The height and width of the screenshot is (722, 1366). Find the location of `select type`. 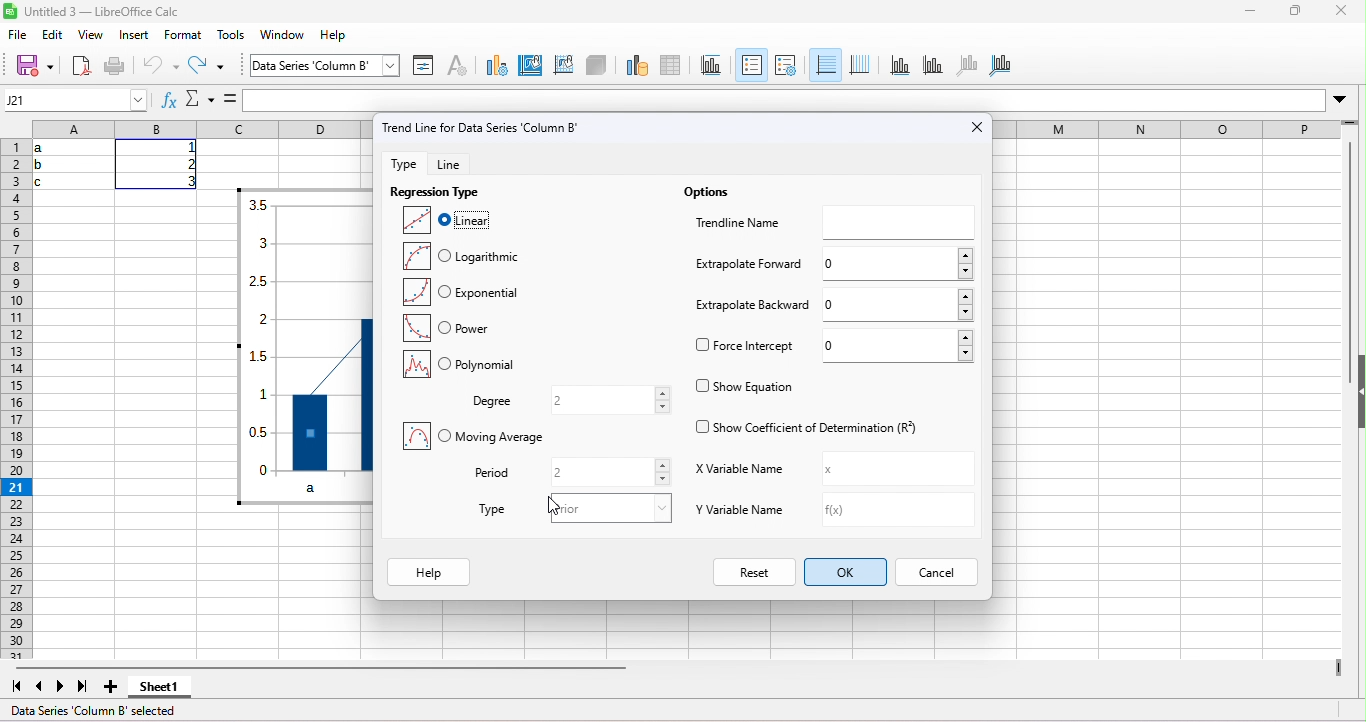

select type is located at coordinates (606, 508).